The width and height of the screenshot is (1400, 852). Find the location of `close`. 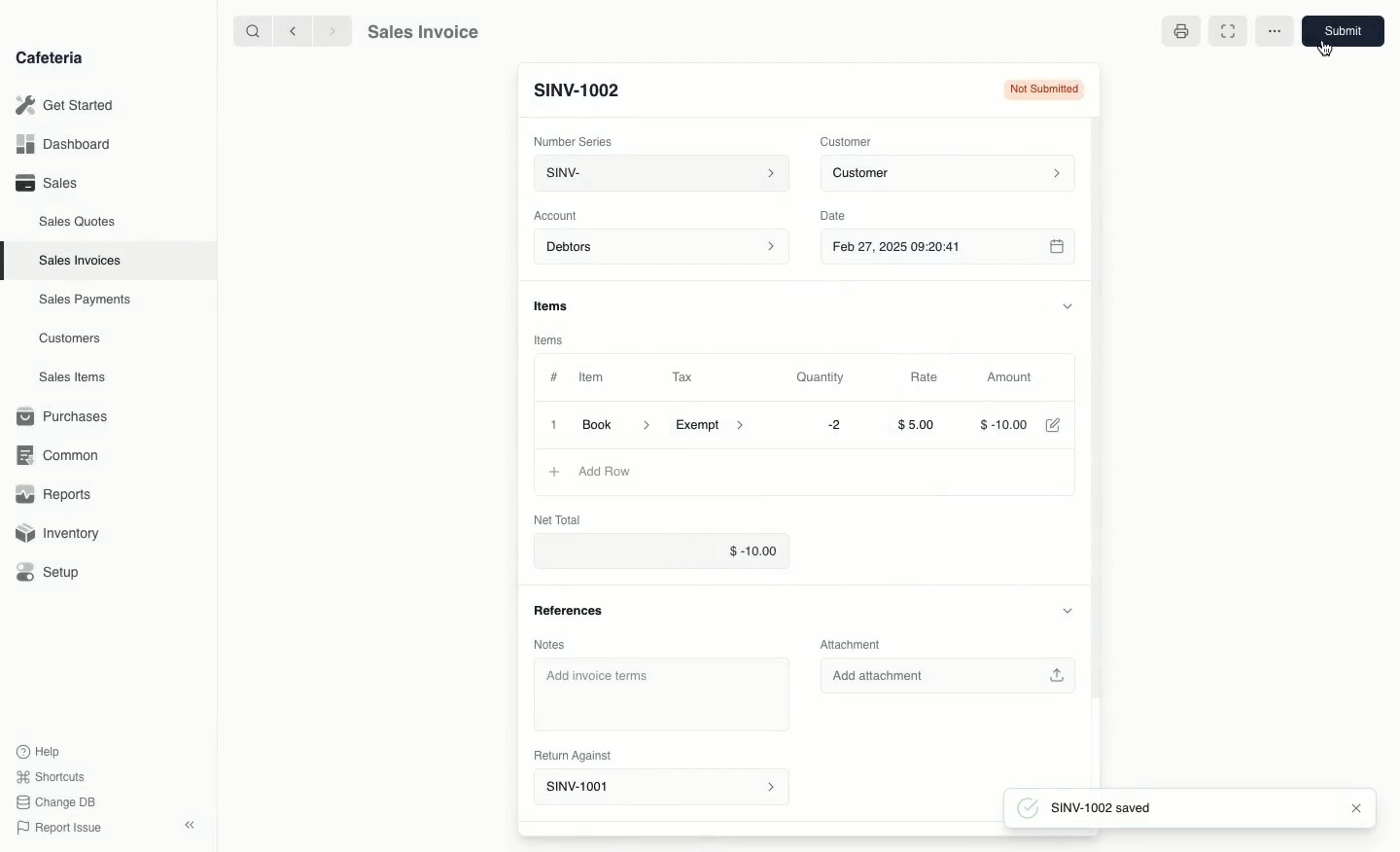

close is located at coordinates (1356, 808).